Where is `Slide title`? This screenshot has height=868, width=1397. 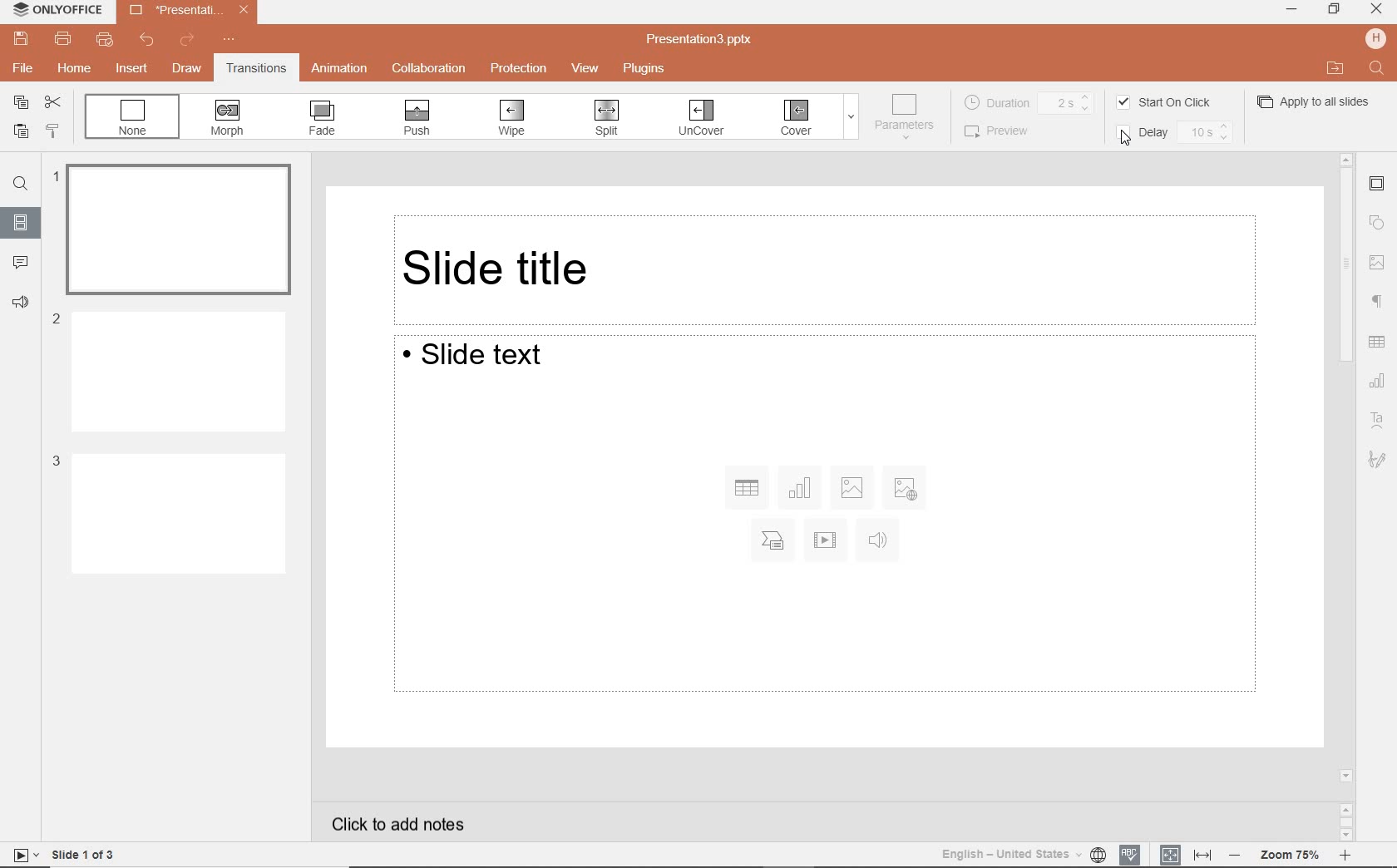
Slide title is located at coordinates (827, 264).